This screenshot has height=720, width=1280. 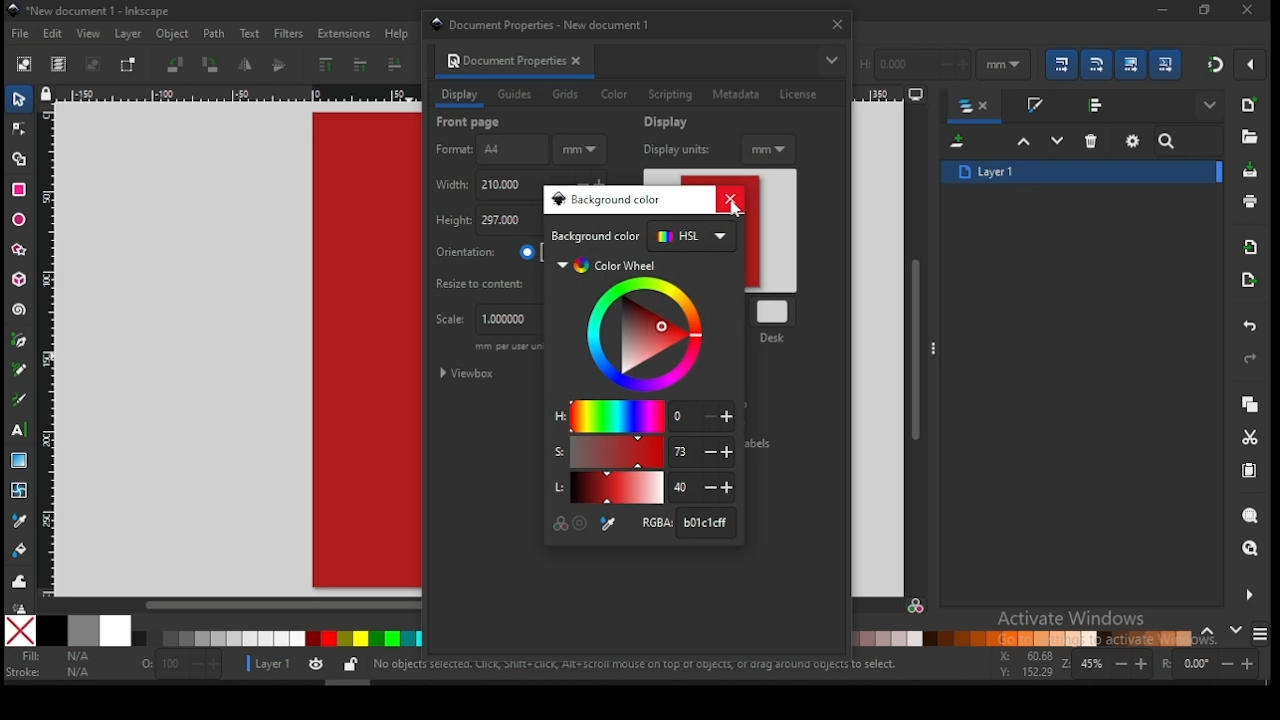 What do you see at coordinates (976, 107) in the screenshot?
I see `layers and objects` at bounding box center [976, 107].